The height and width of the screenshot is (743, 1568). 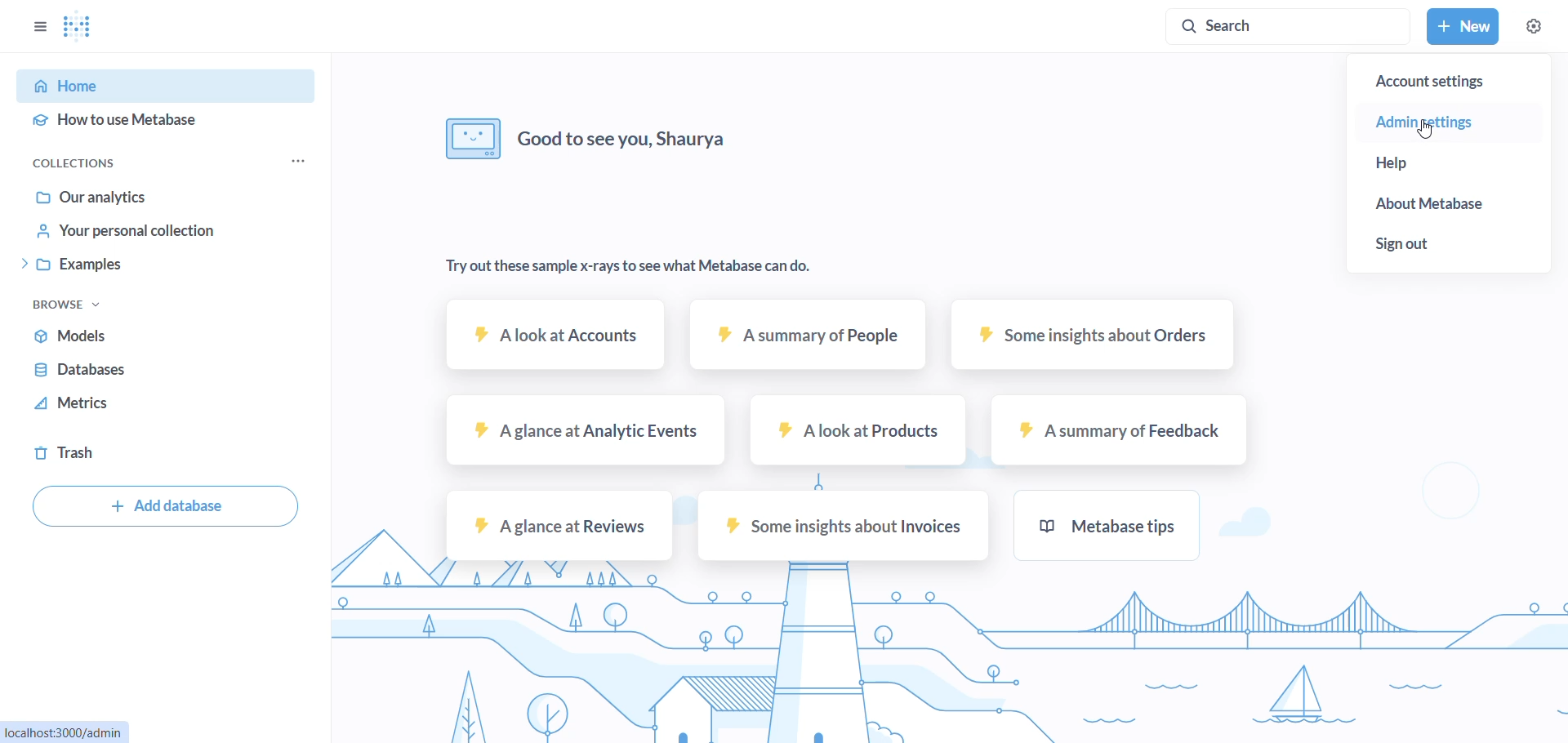 What do you see at coordinates (1292, 26) in the screenshot?
I see `search button` at bounding box center [1292, 26].